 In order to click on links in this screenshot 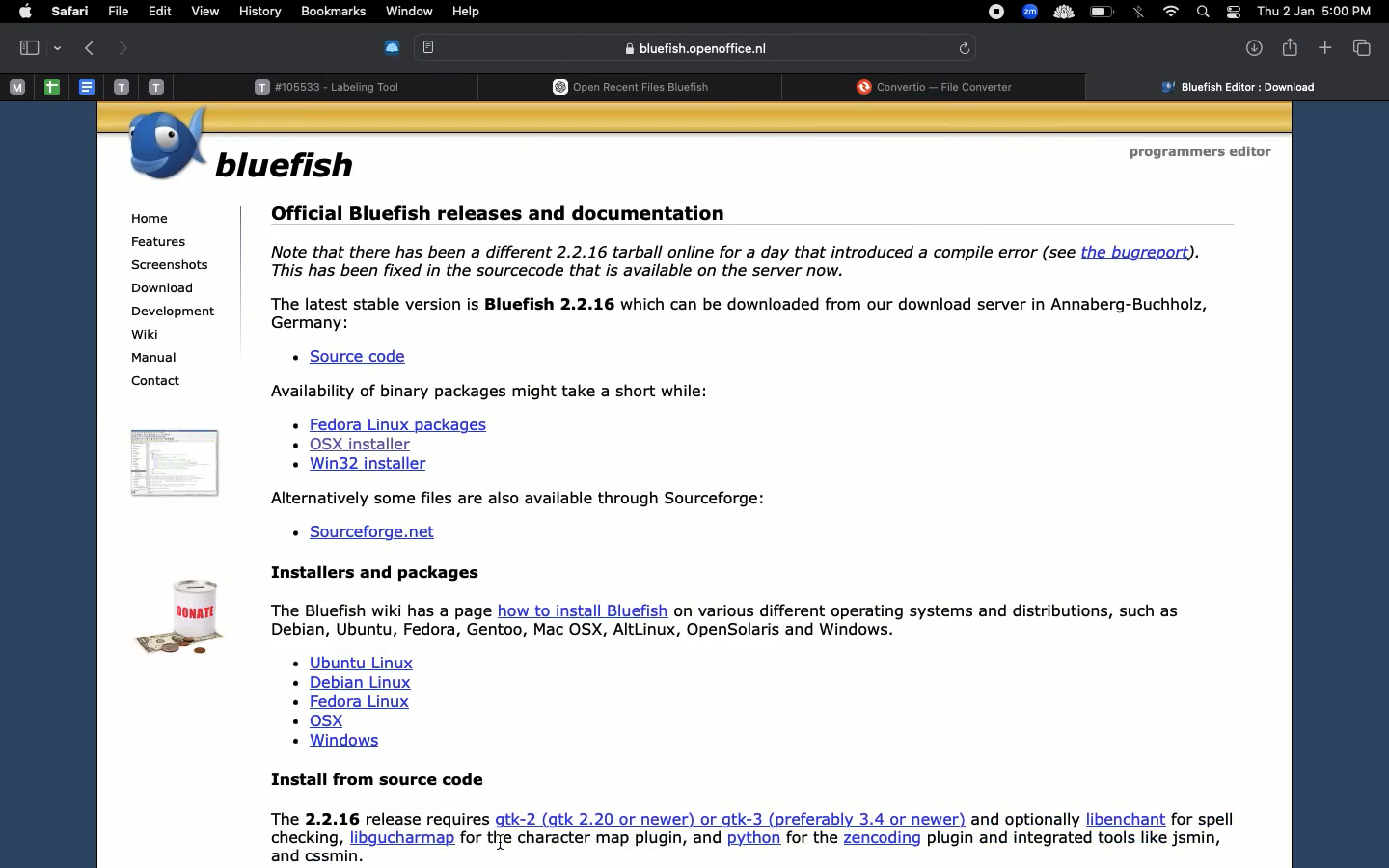, I will do `click(358, 703)`.